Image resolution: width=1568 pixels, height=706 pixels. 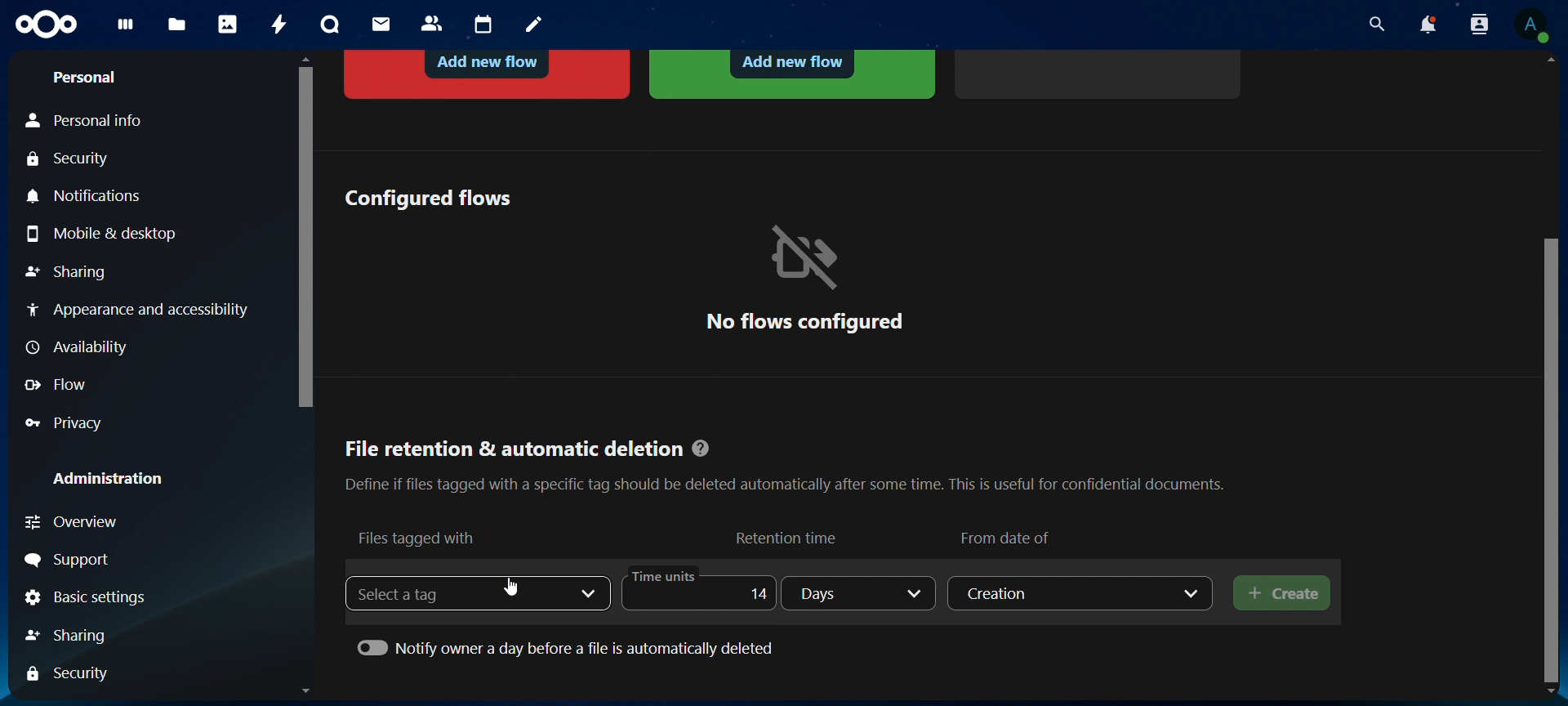 What do you see at coordinates (1427, 25) in the screenshot?
I see `notifications` at bounding box center [1427, 25].